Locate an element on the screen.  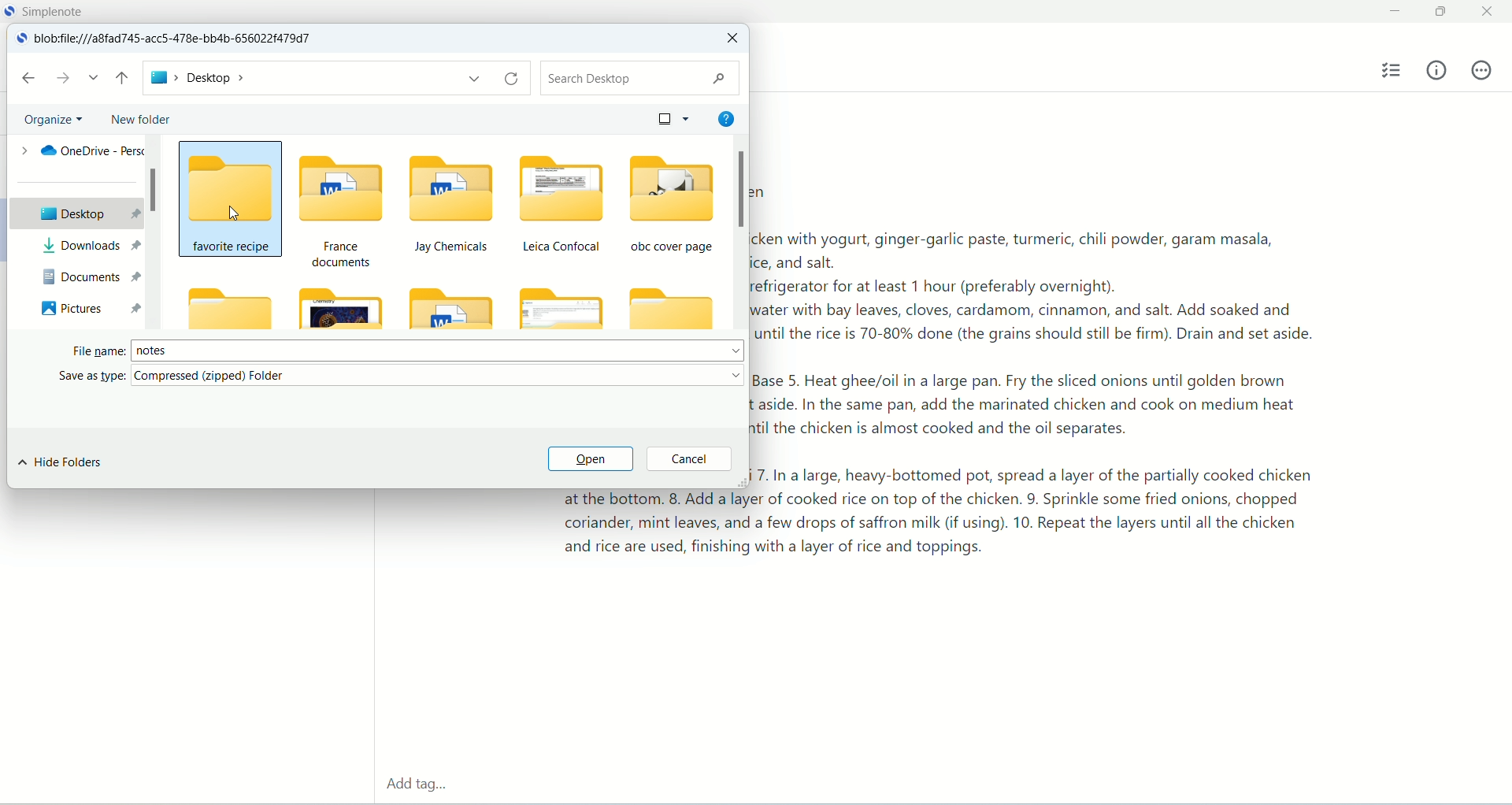
pictures is located at coordinates (89, 308).